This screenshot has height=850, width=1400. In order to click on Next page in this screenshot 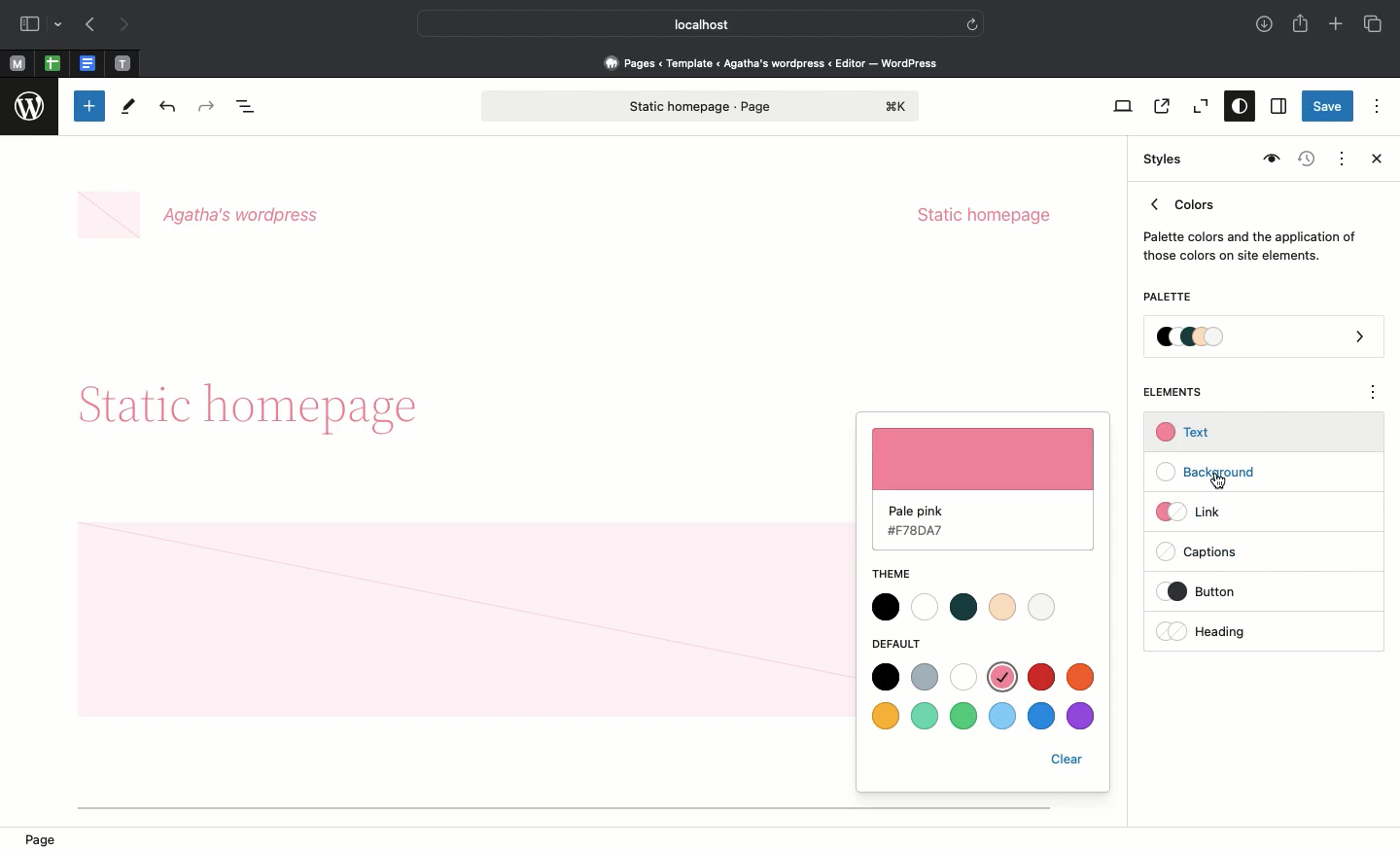, I will do `click(124, 25)`.